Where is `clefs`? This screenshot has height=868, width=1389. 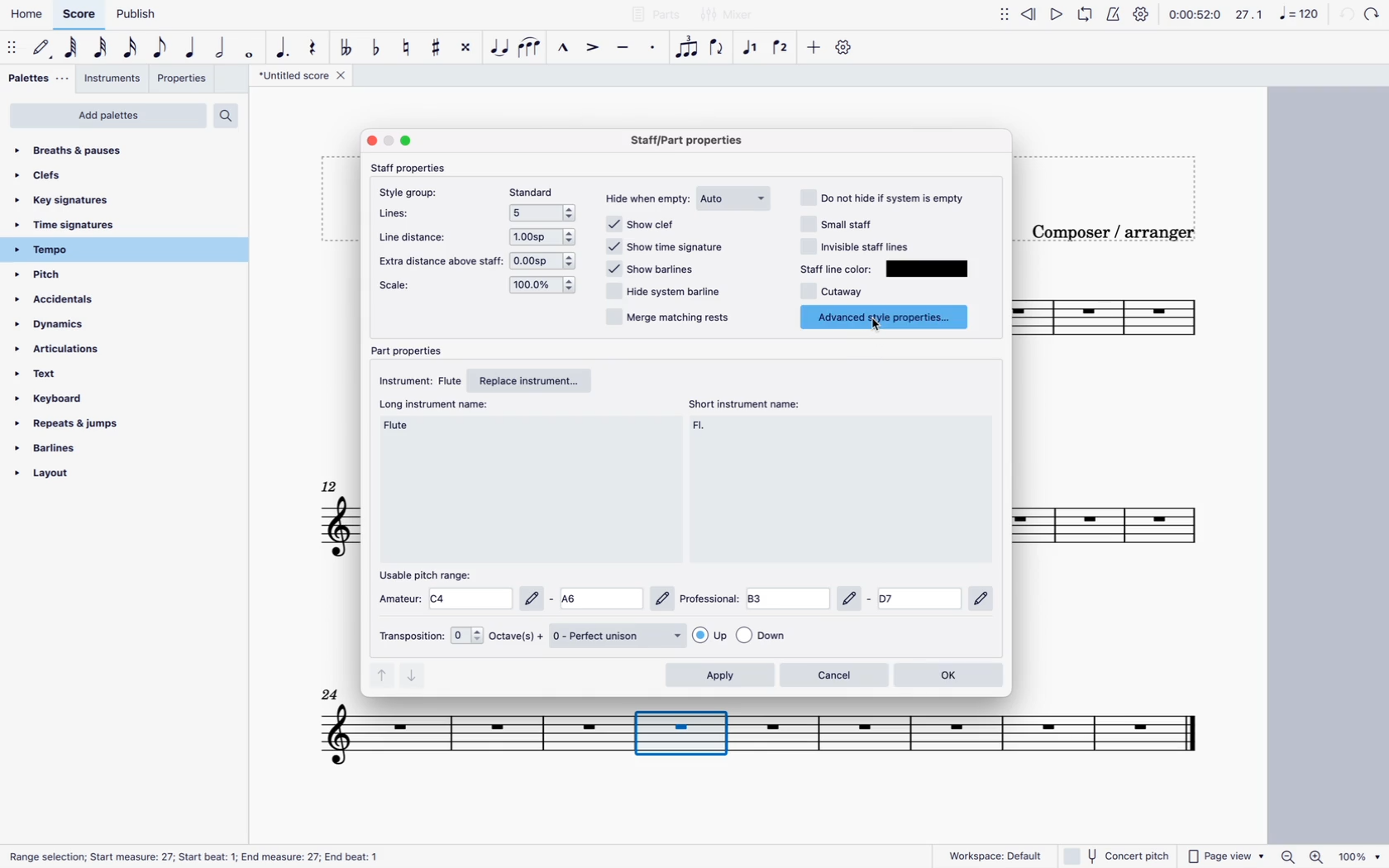 clefs is located at coordinates (65, 180).